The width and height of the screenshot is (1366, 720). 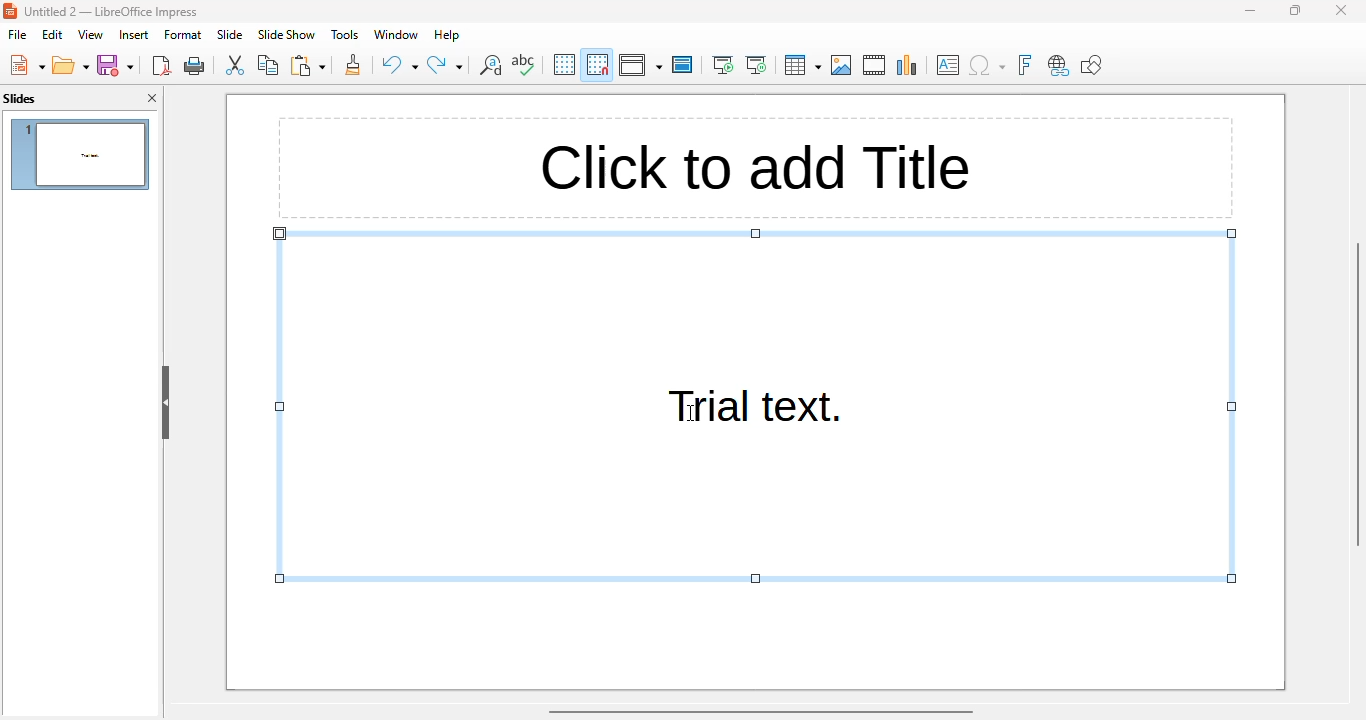 I want to click on help, so click(x=447, y=35).